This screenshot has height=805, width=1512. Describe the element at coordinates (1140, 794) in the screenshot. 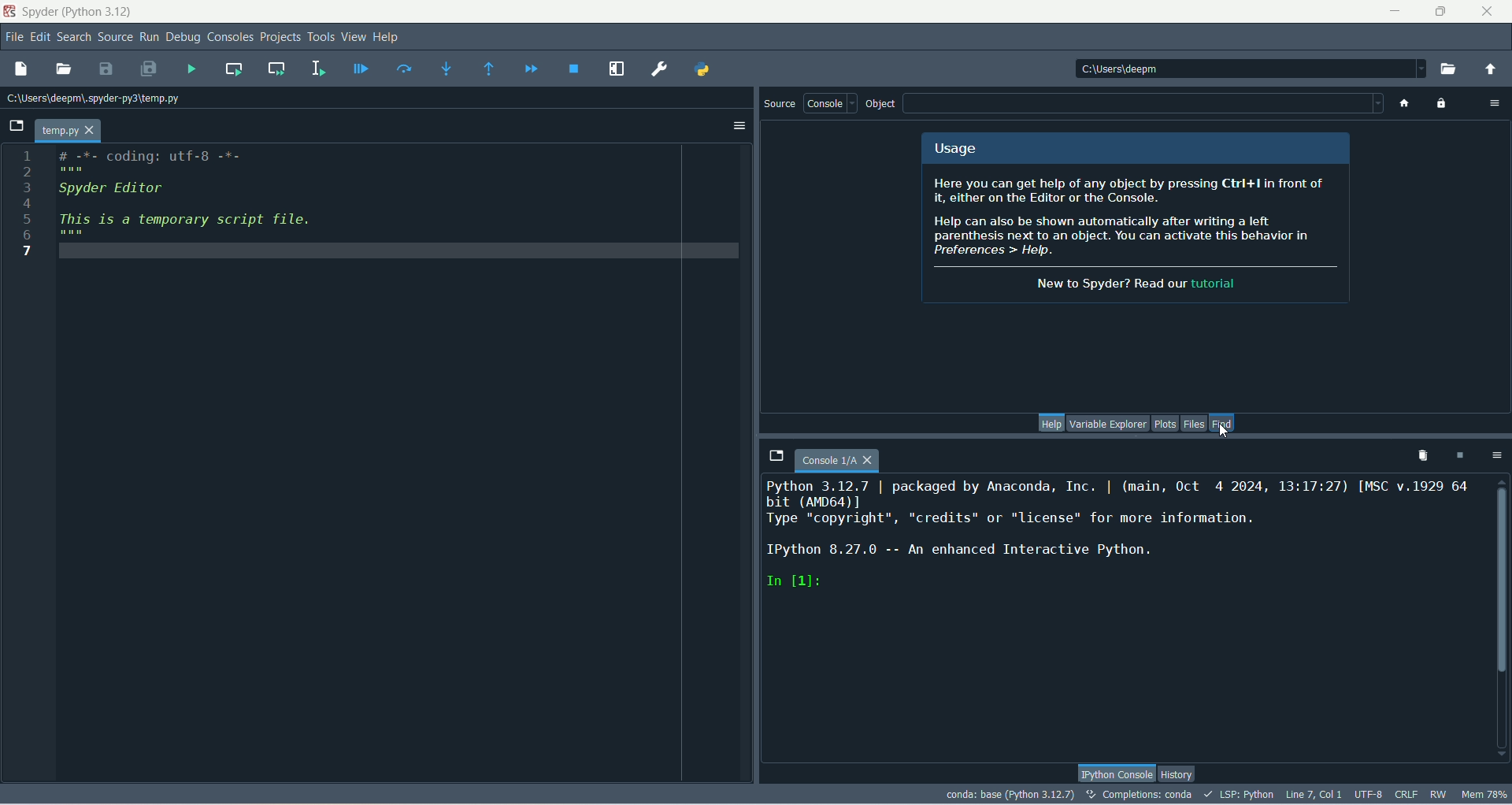

I see `completions:conda` at that location.